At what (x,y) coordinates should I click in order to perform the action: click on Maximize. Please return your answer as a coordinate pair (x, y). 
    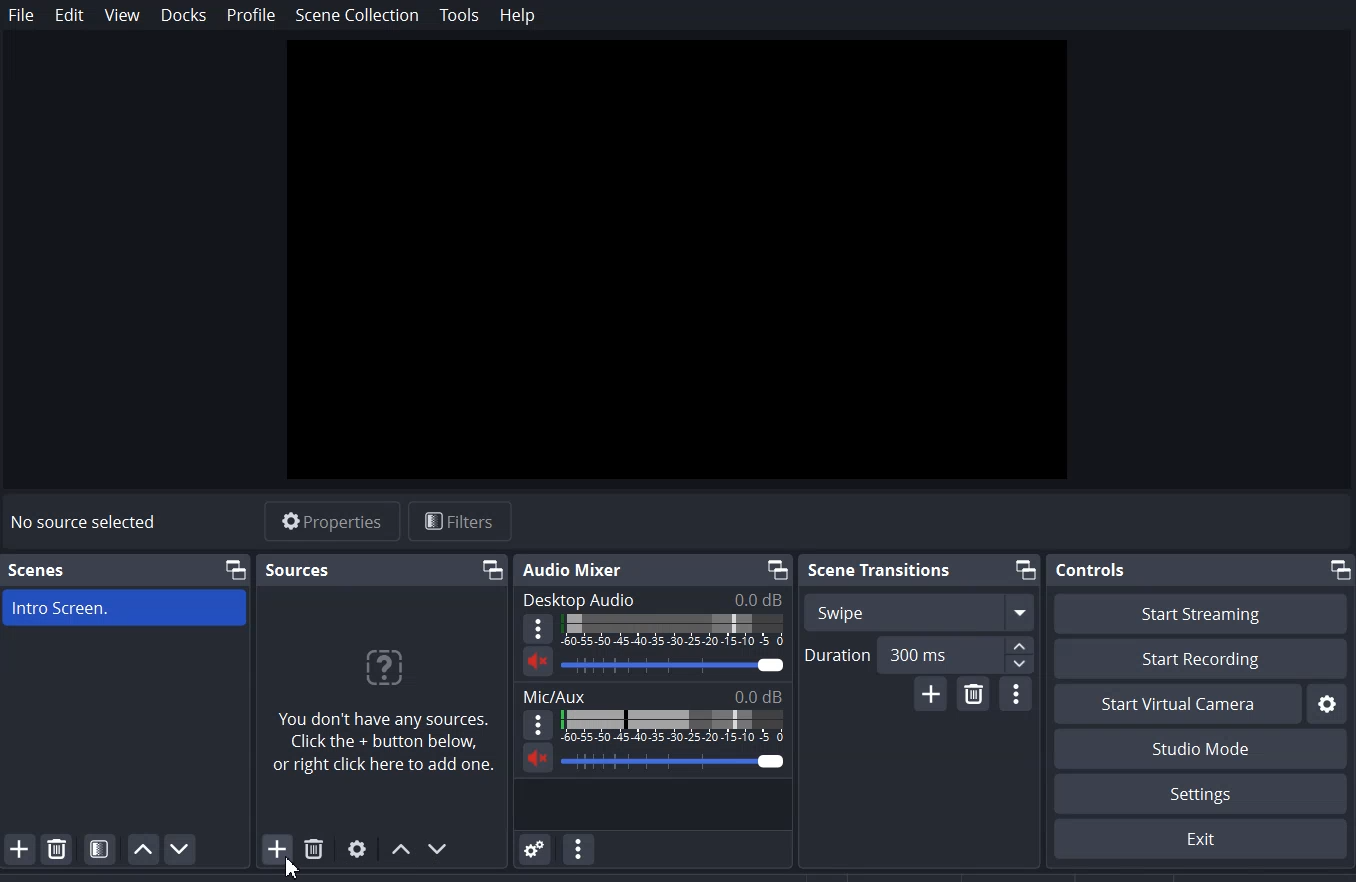
    Looking at the image, I should click on (1026, 570).